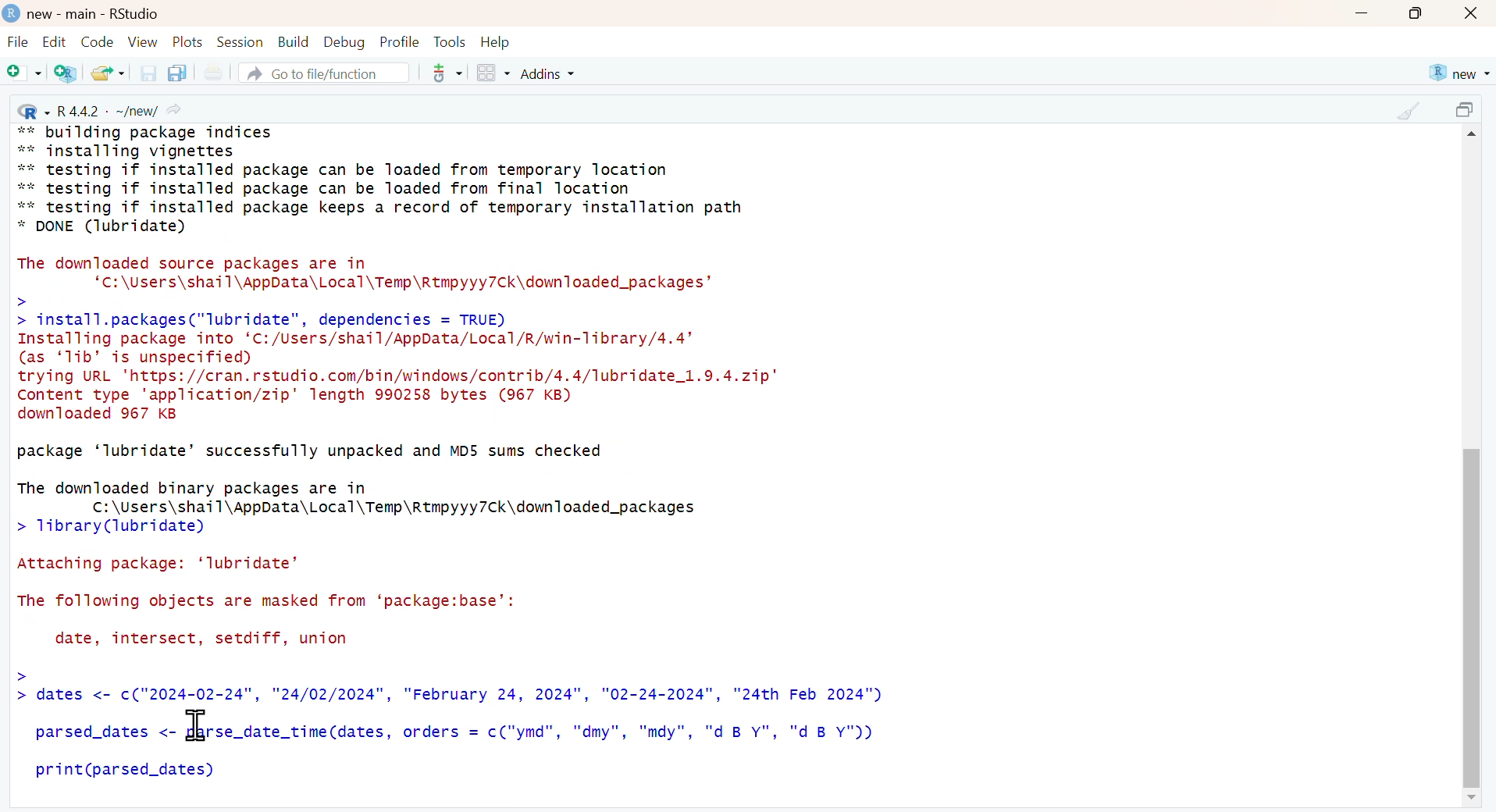  Describe the element at coordinates (1416, 13) in the screenshot. I see `maximize` at that location.